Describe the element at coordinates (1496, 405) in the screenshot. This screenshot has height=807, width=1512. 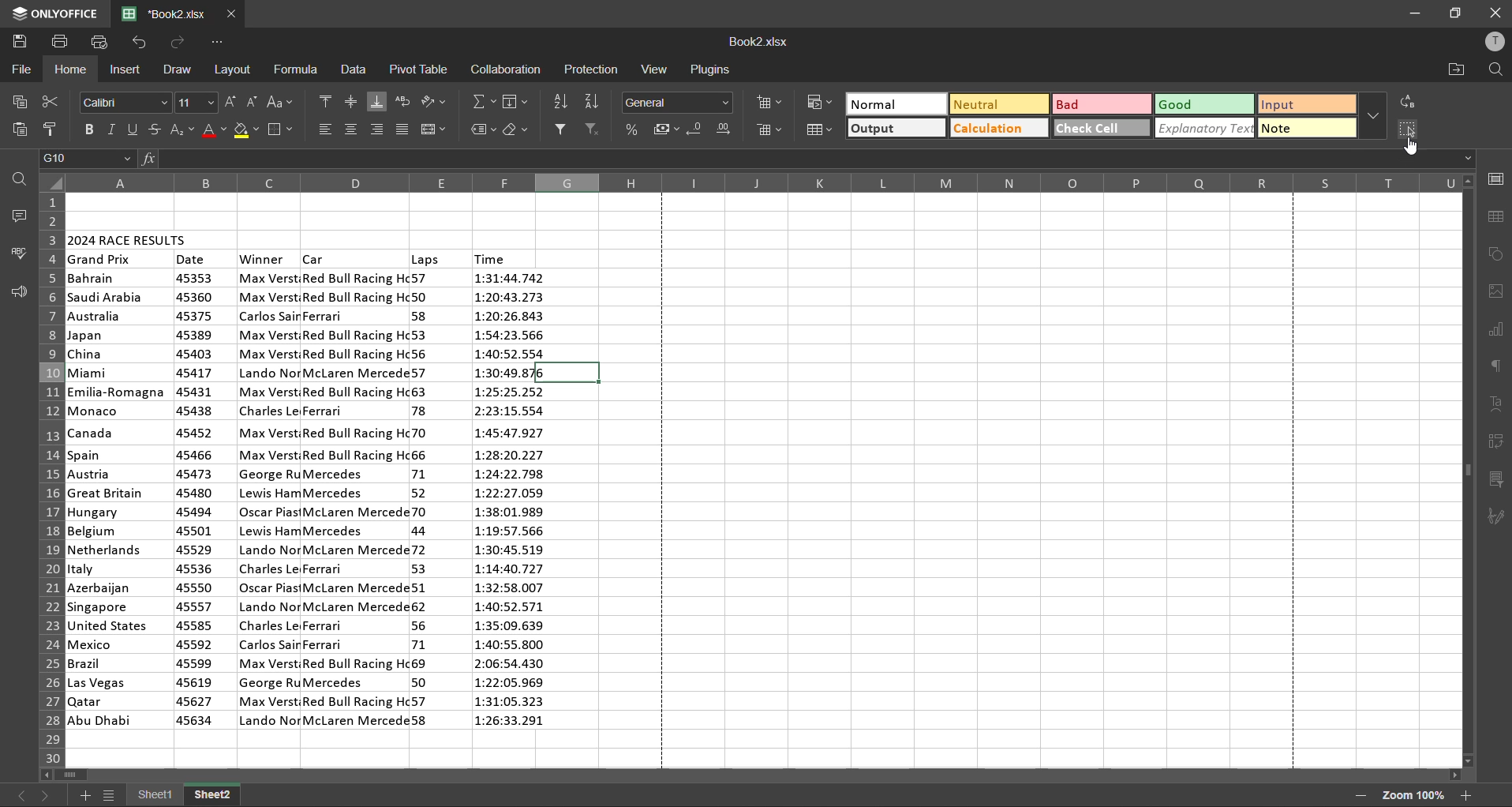
I see `text` at that location.